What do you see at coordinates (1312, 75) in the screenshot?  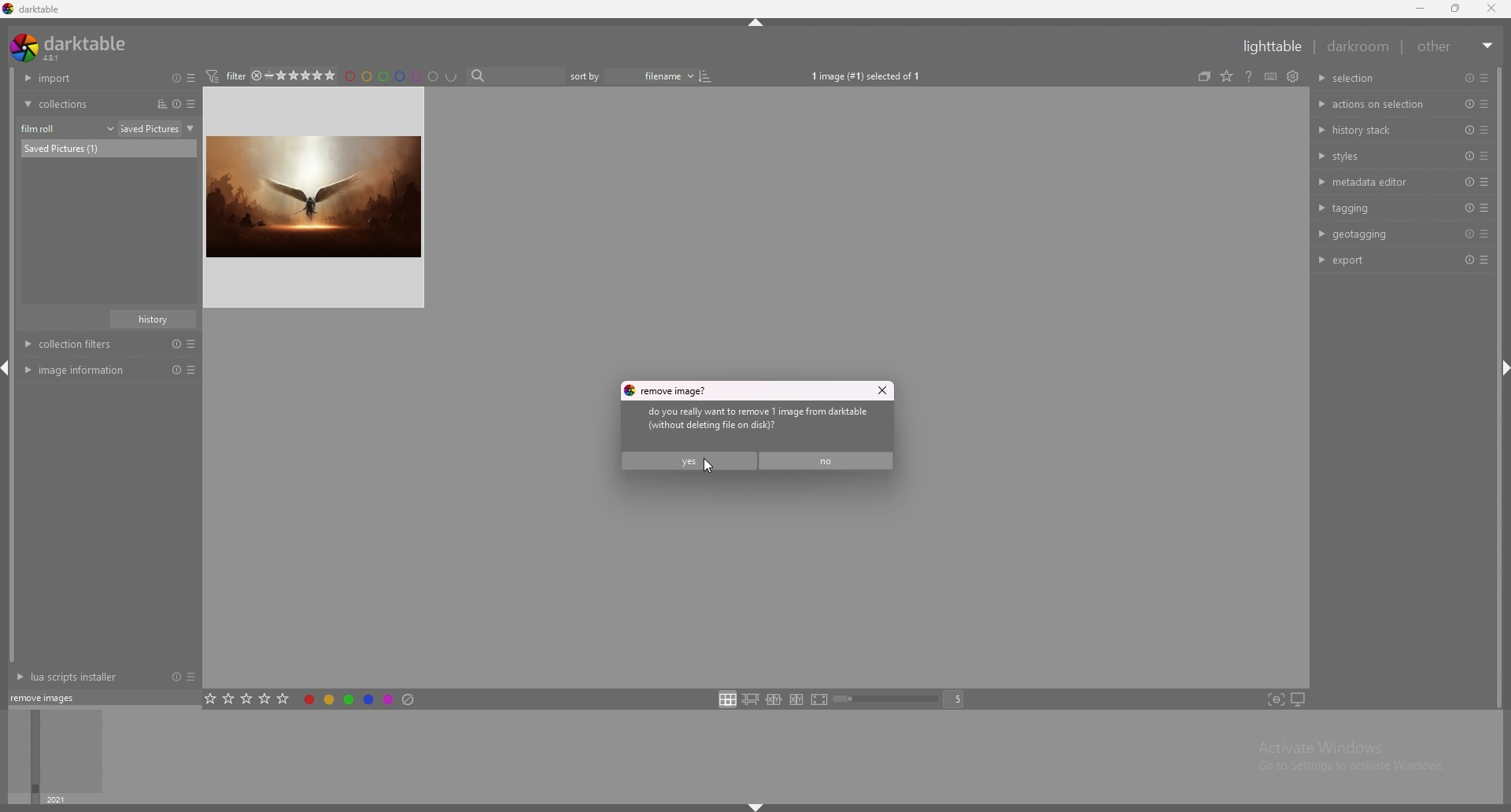 I see `show global preferences` at bounding box center [1312, 75].